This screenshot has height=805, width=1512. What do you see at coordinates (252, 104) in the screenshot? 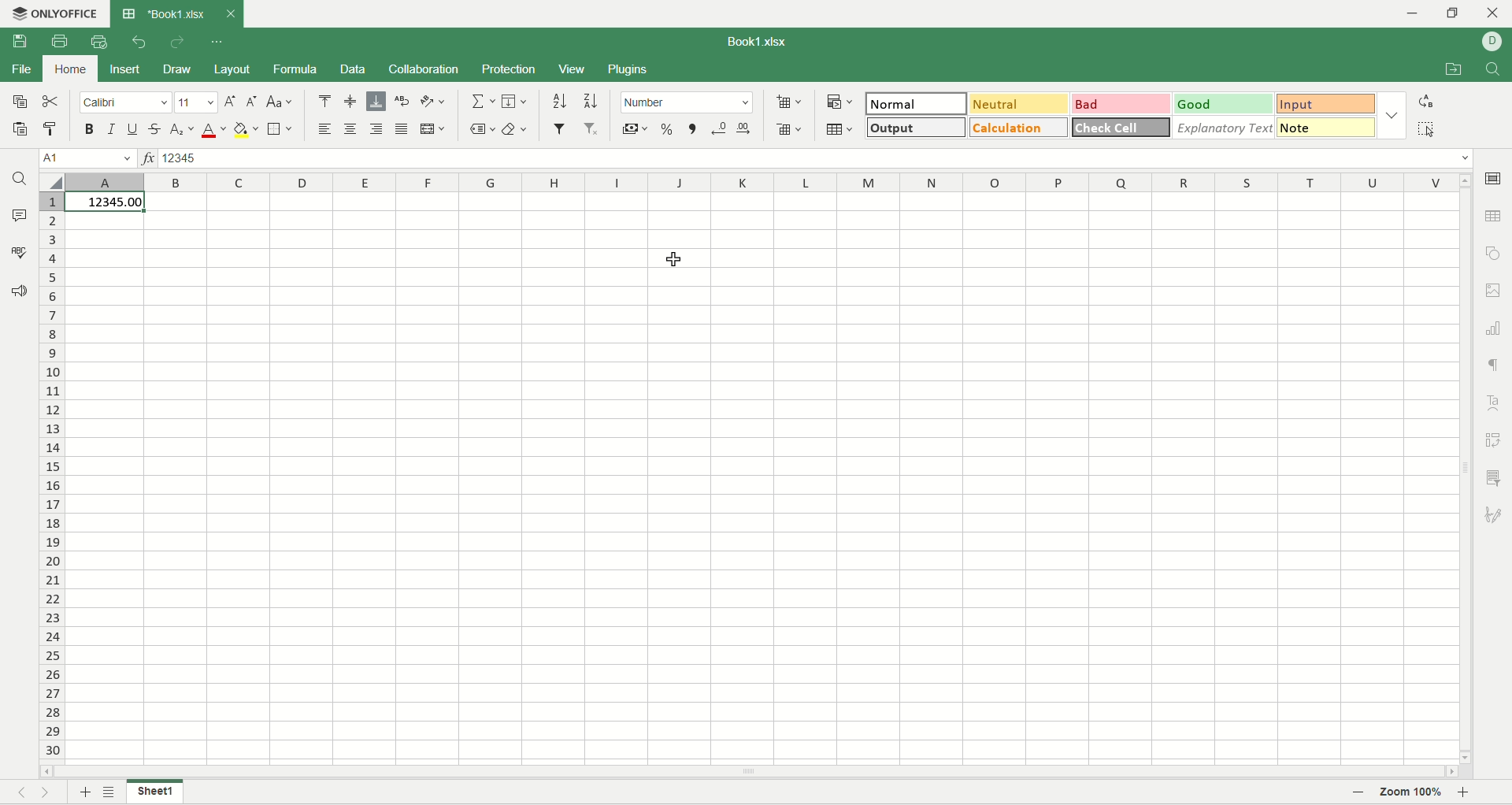
I see `decrease font size` at bounding box center [252, 104].